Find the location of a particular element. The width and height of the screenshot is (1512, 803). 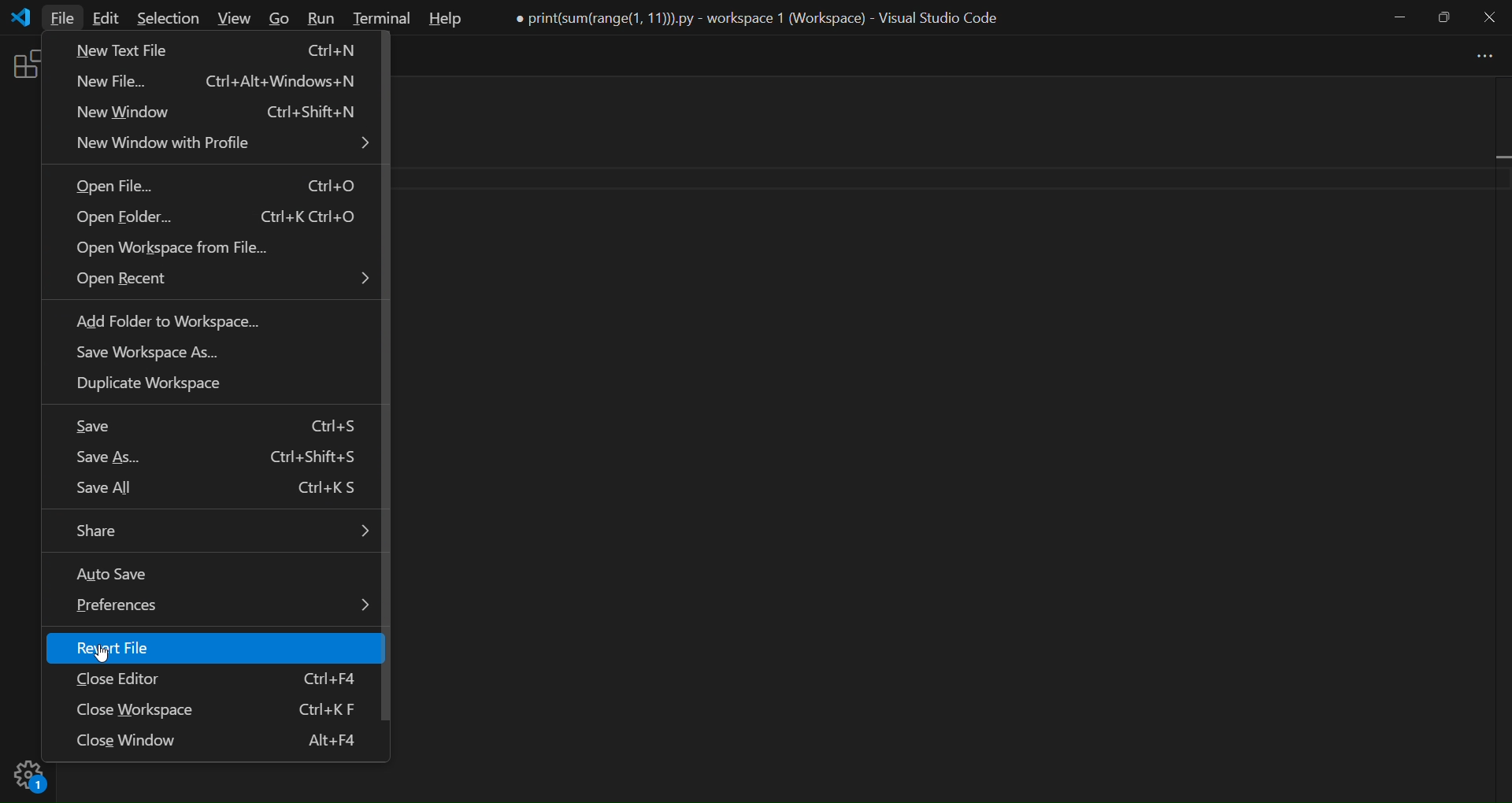

save all is located at coordinates (218, 488).